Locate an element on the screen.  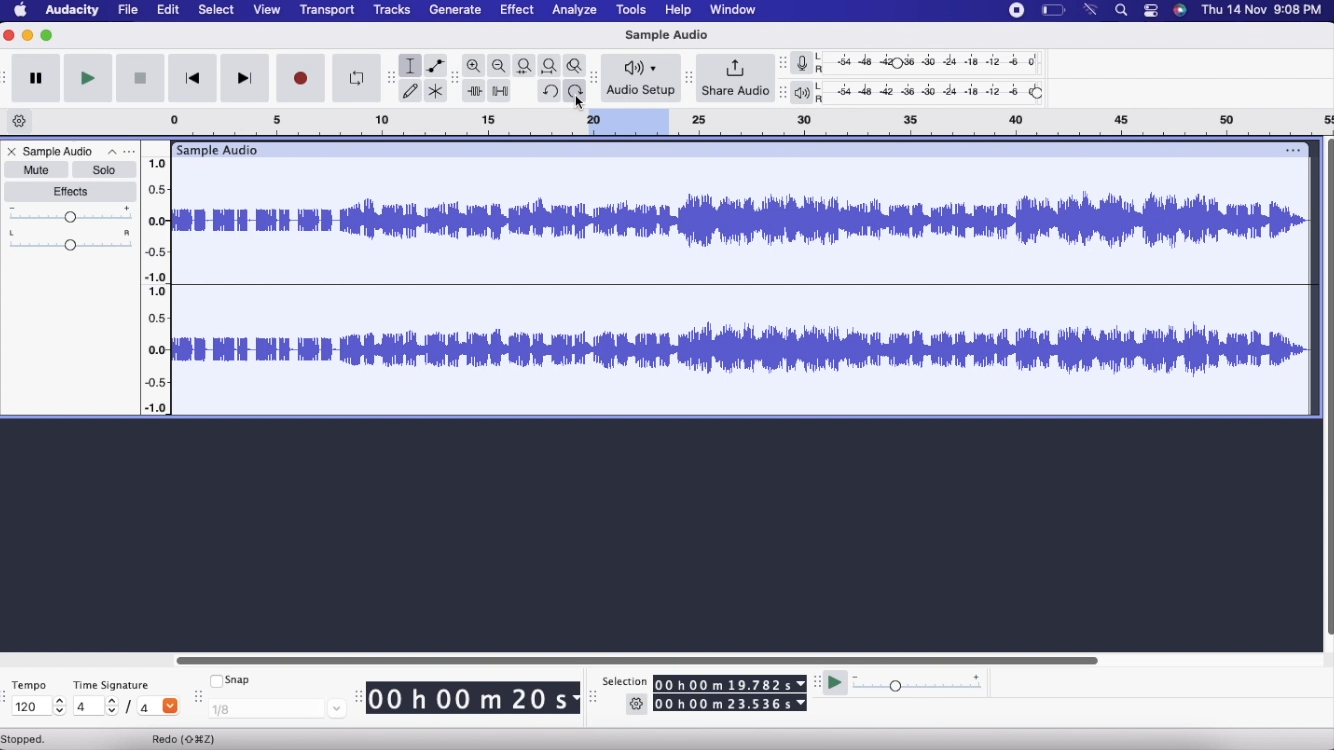
move toolbar is located at coordinates (689, 78).